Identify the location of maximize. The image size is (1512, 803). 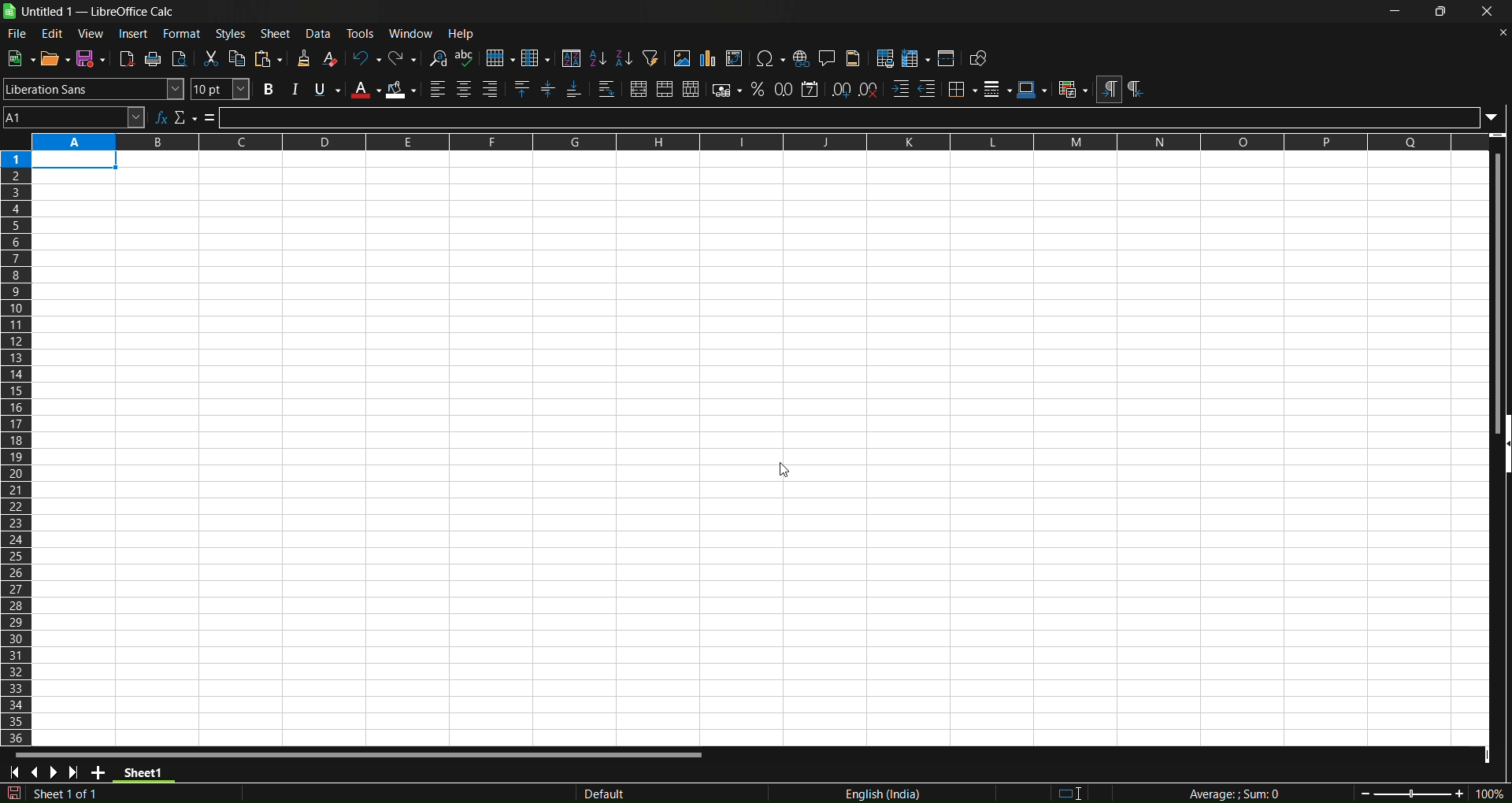
(1444, 13).